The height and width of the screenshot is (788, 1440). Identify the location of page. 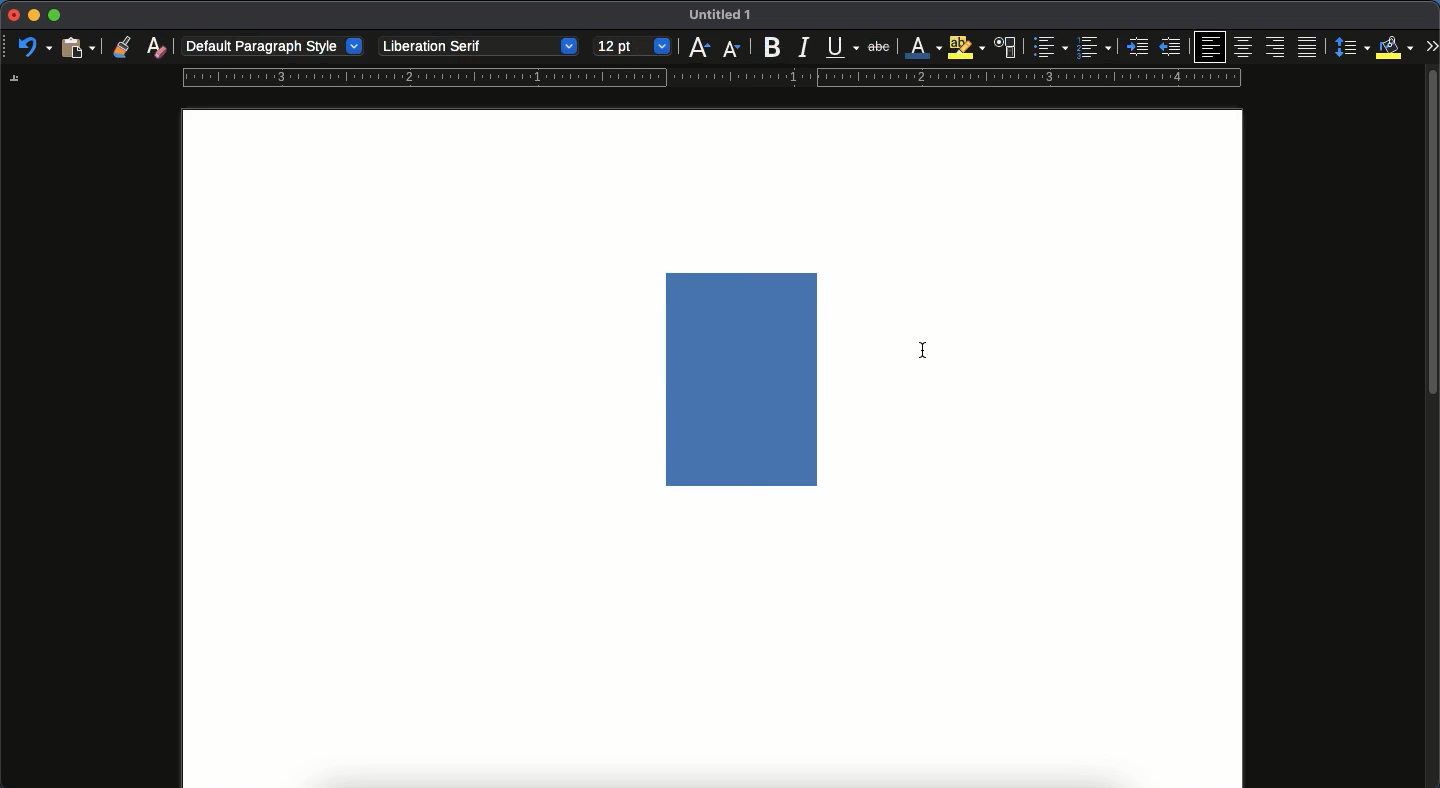
(712, 657).